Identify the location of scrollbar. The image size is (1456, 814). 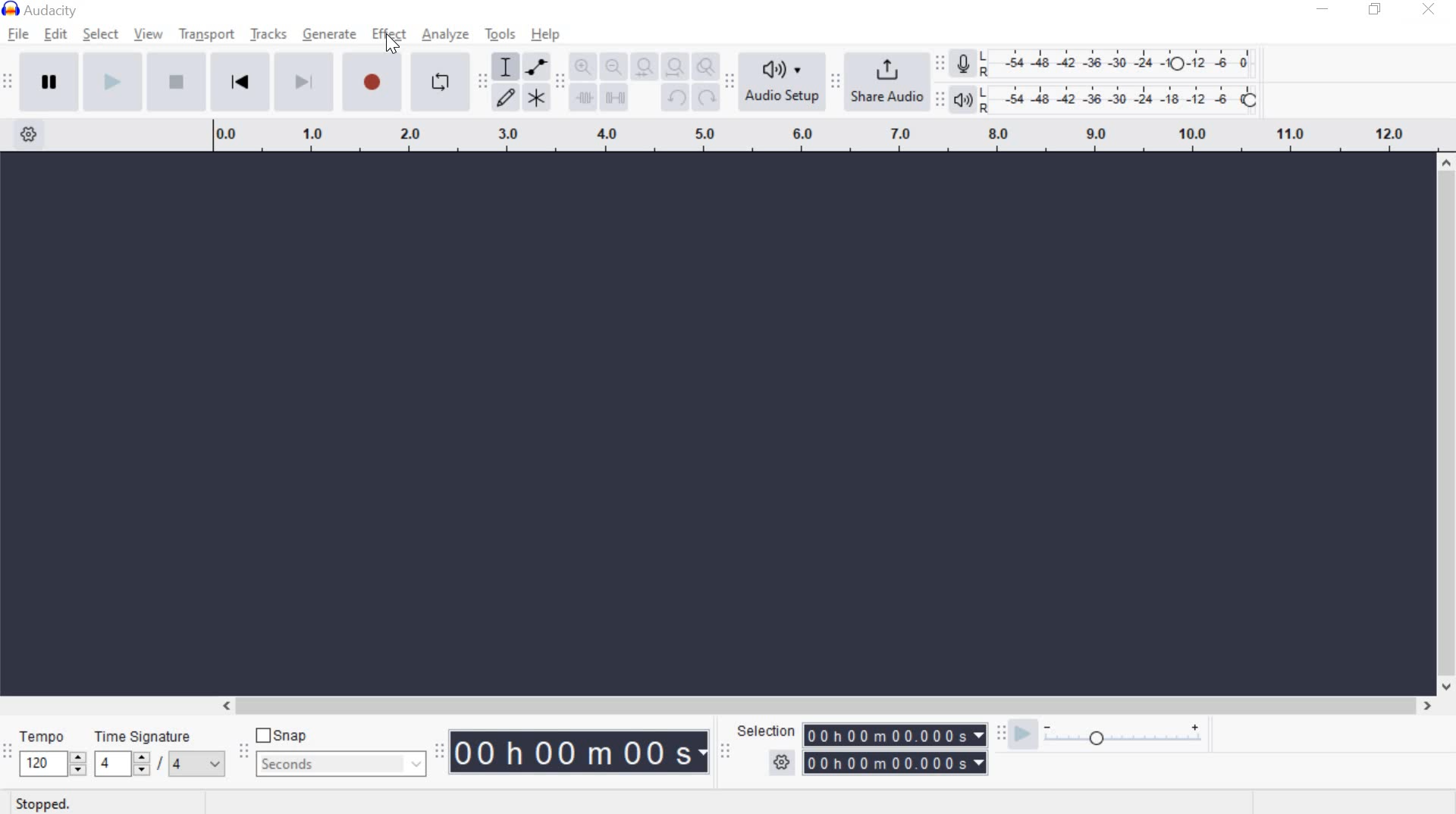
(827, 706).